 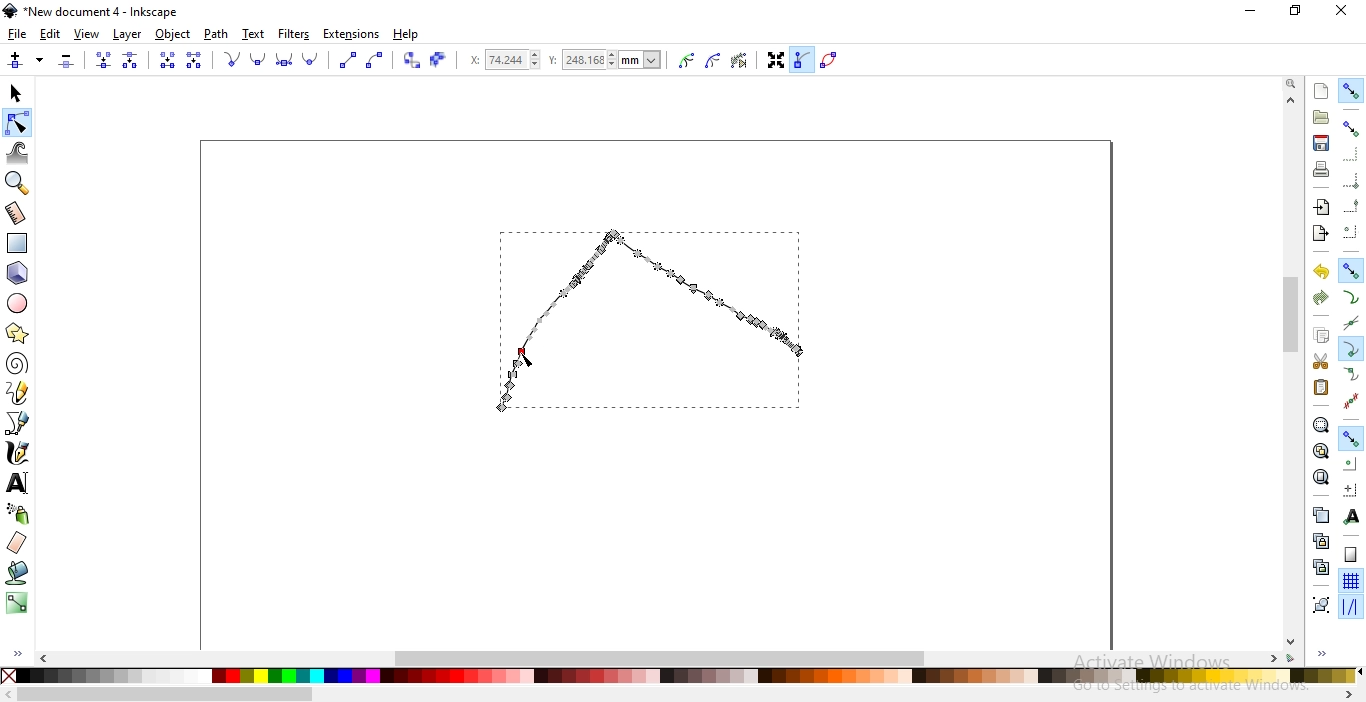 I want to click on create a clone, so click(x=1320, y=540).